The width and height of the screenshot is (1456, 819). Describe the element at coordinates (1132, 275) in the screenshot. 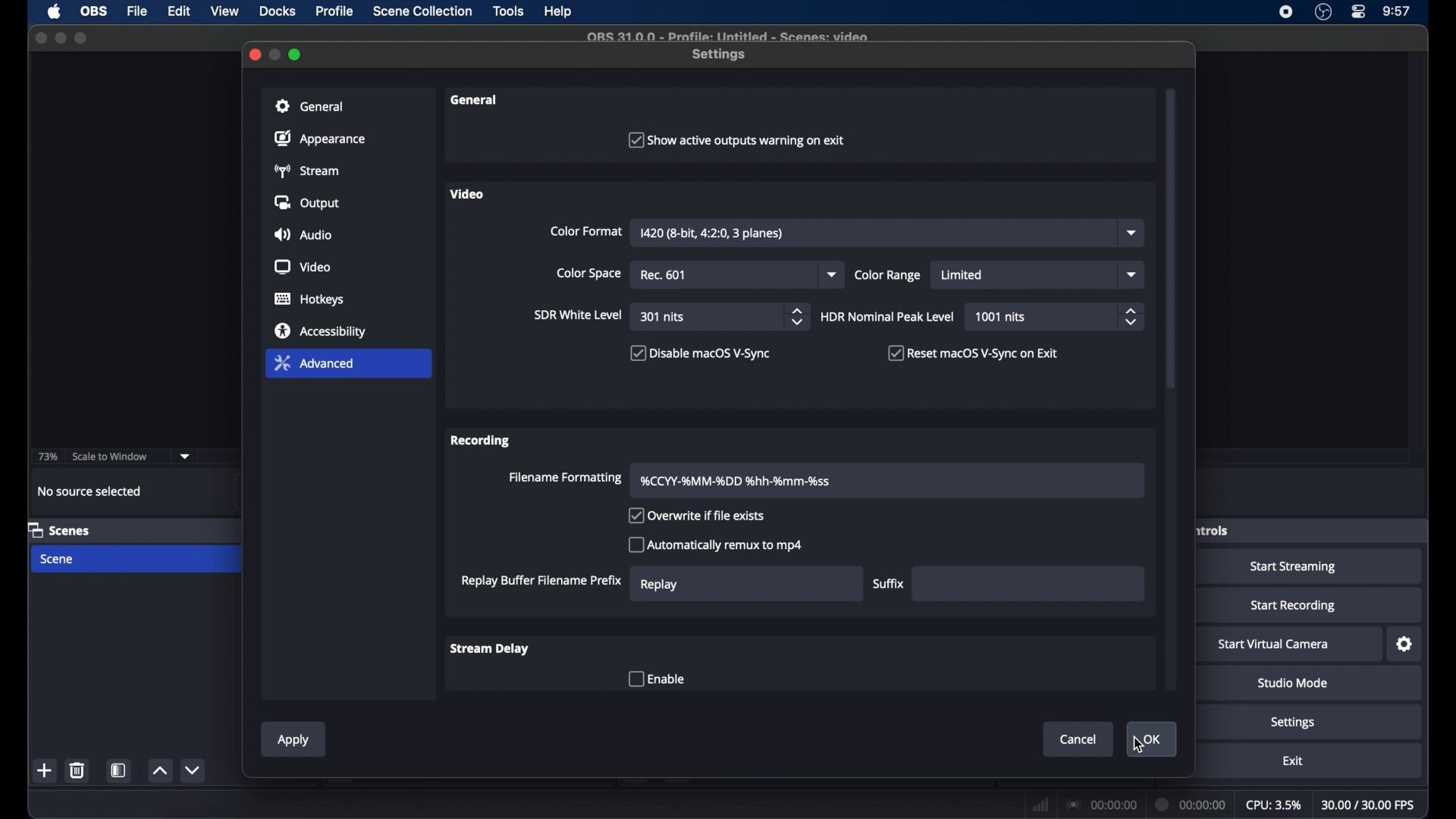

I see `dropdown` at that location.